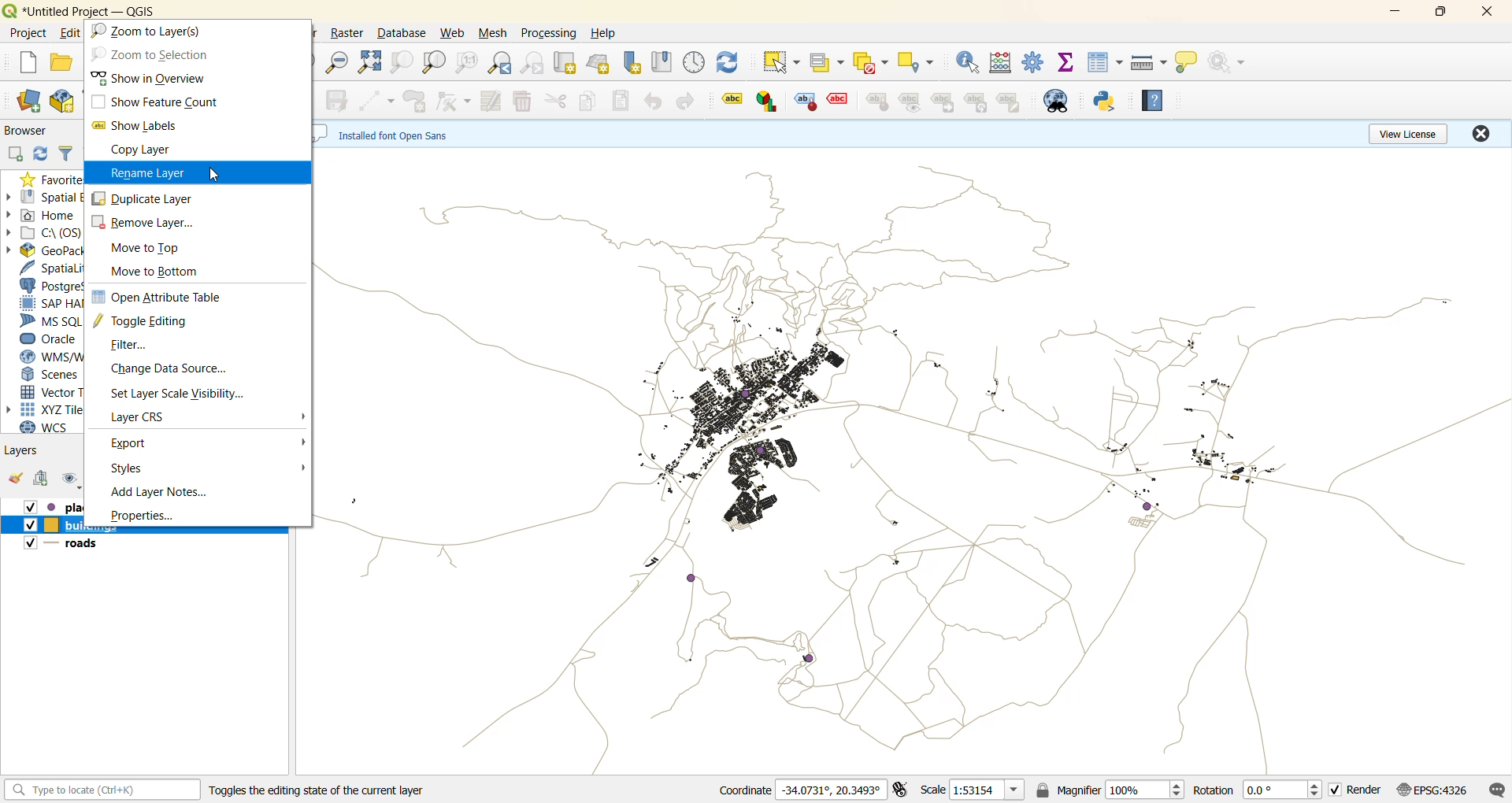 The image size is (1512, 803). I want to click on refresh, so click(43, 154).